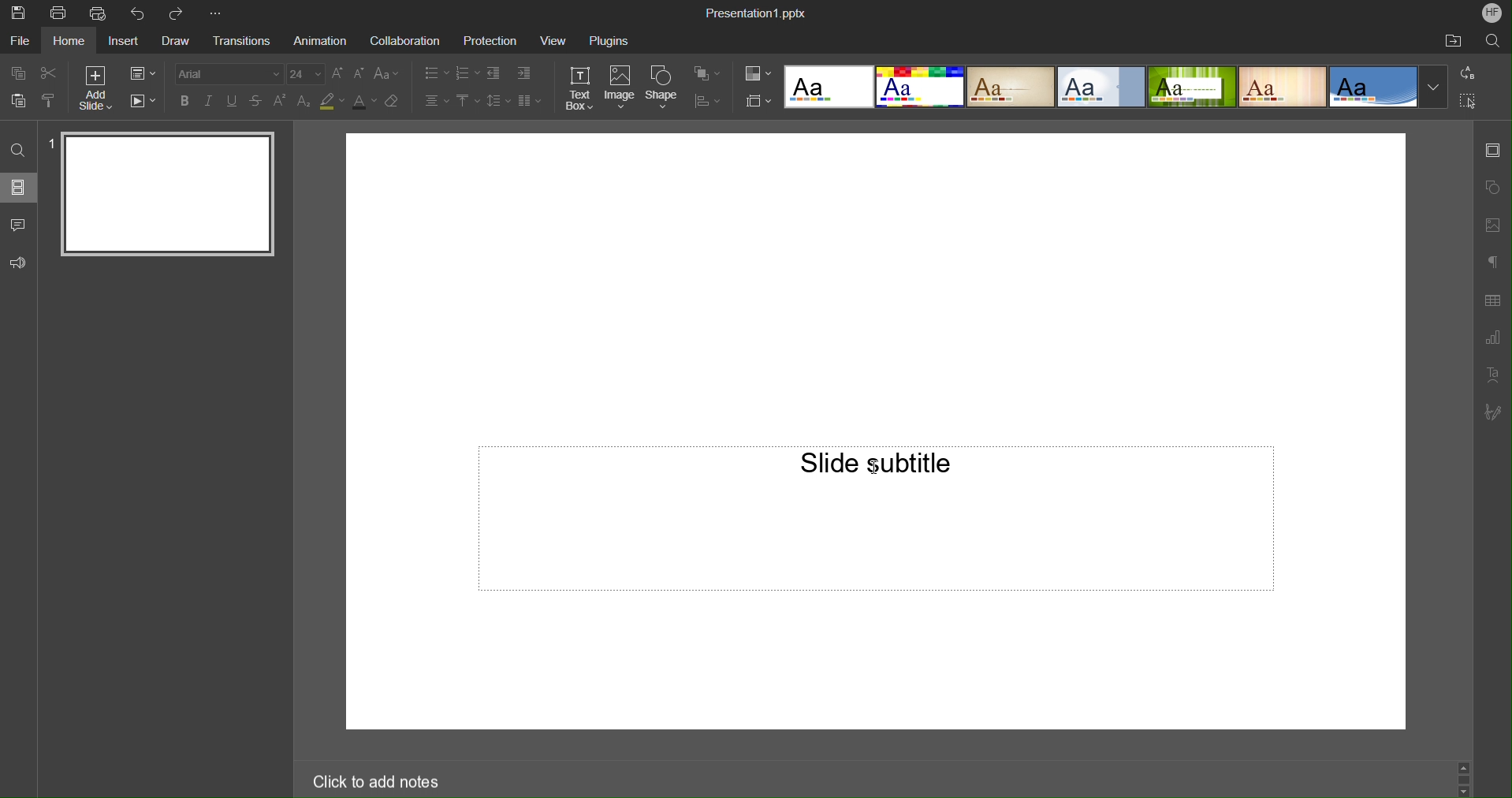 Image resolution: width=1512 pixels, height=798 pixels. What do you see at coordinates (17, 264) in the screenshot?
I see `Feedback and Support` at bounding box center [17, 264].